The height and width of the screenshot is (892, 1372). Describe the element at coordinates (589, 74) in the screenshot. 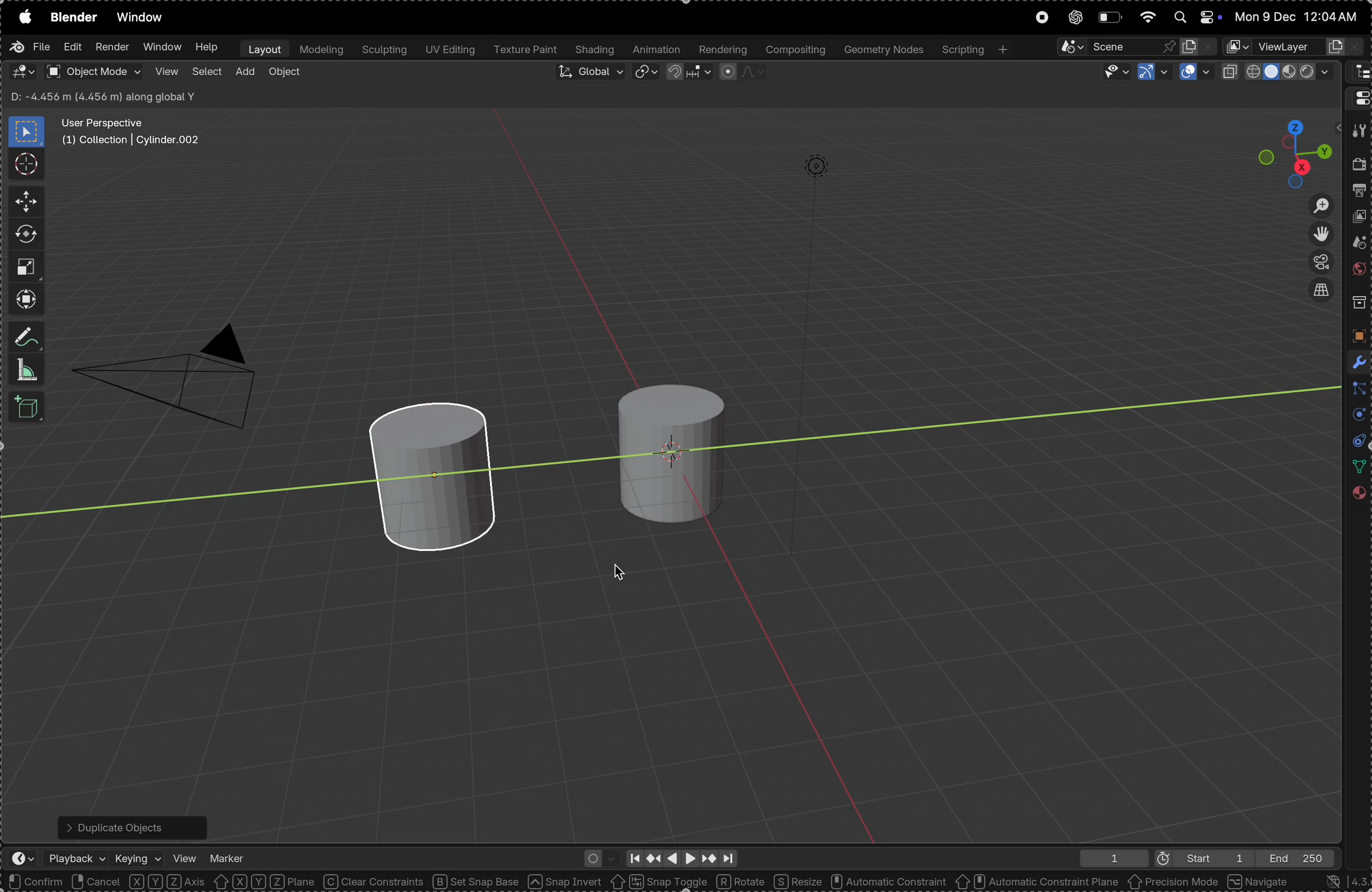

I see `Global` at that location.